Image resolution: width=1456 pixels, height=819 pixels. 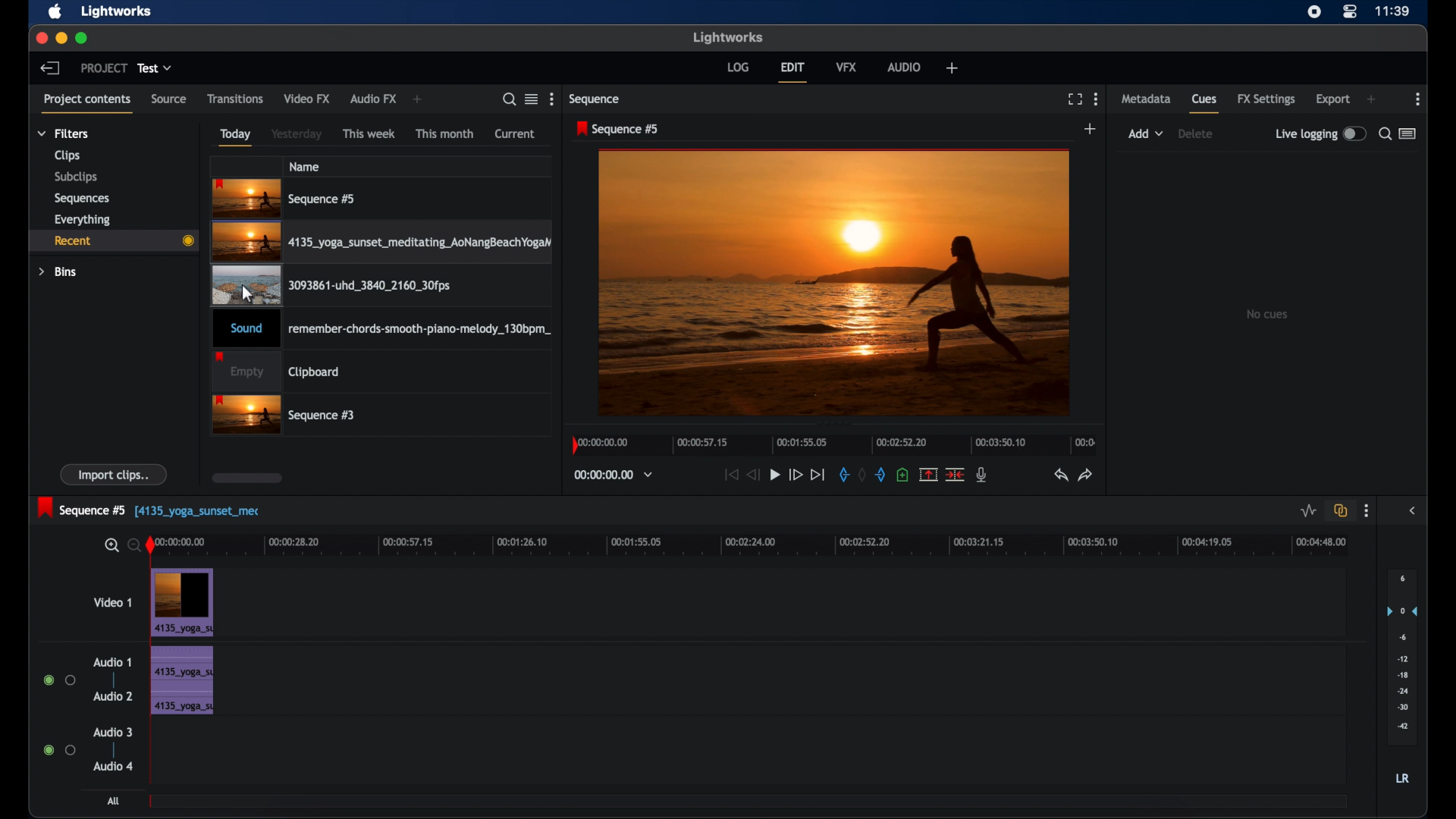 What do you see at coordinates (1075, 99) in the screenshot?
I see `full screen` at bounding box center [1075, 99].